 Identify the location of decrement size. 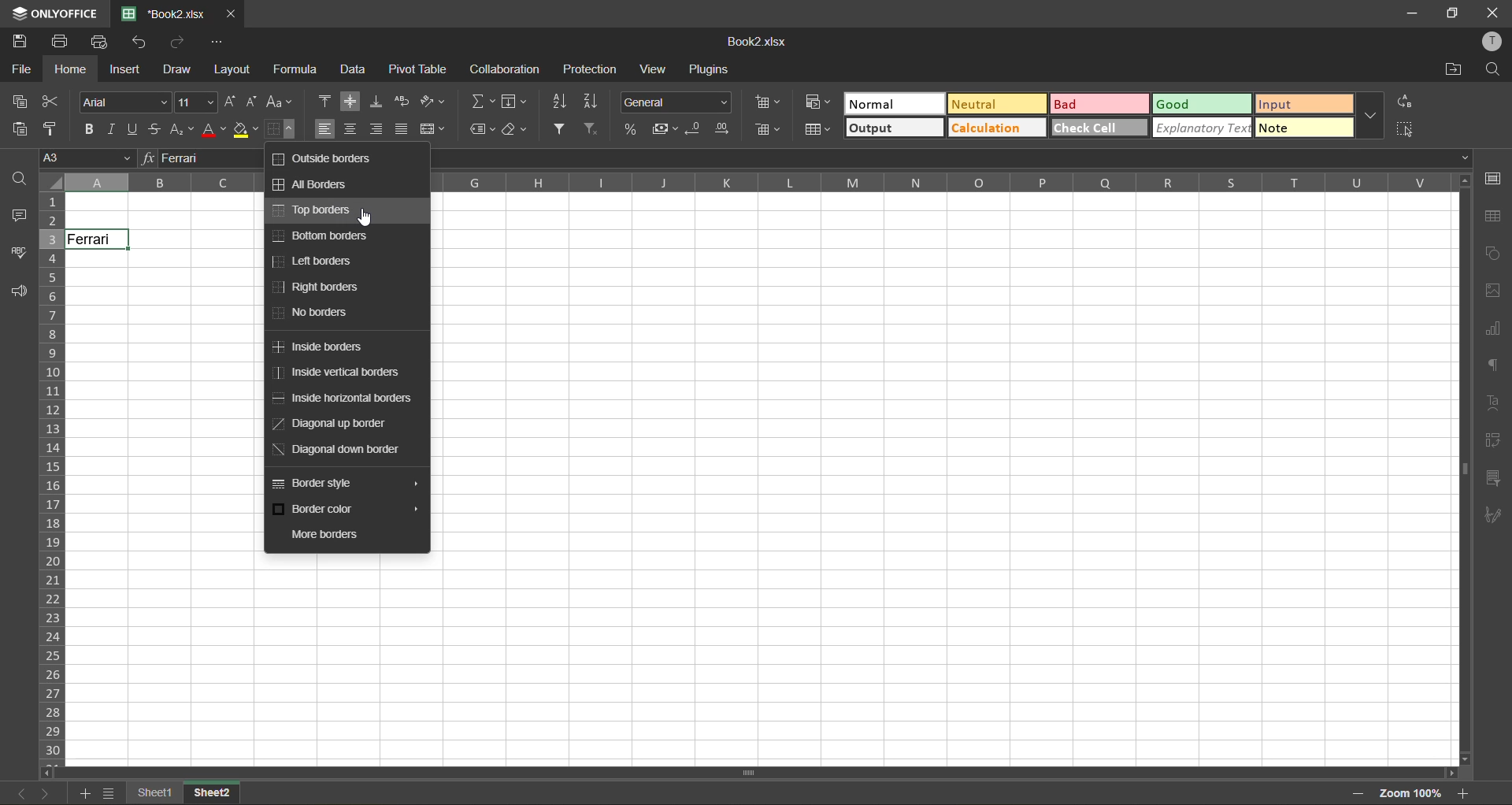
(256, 101).